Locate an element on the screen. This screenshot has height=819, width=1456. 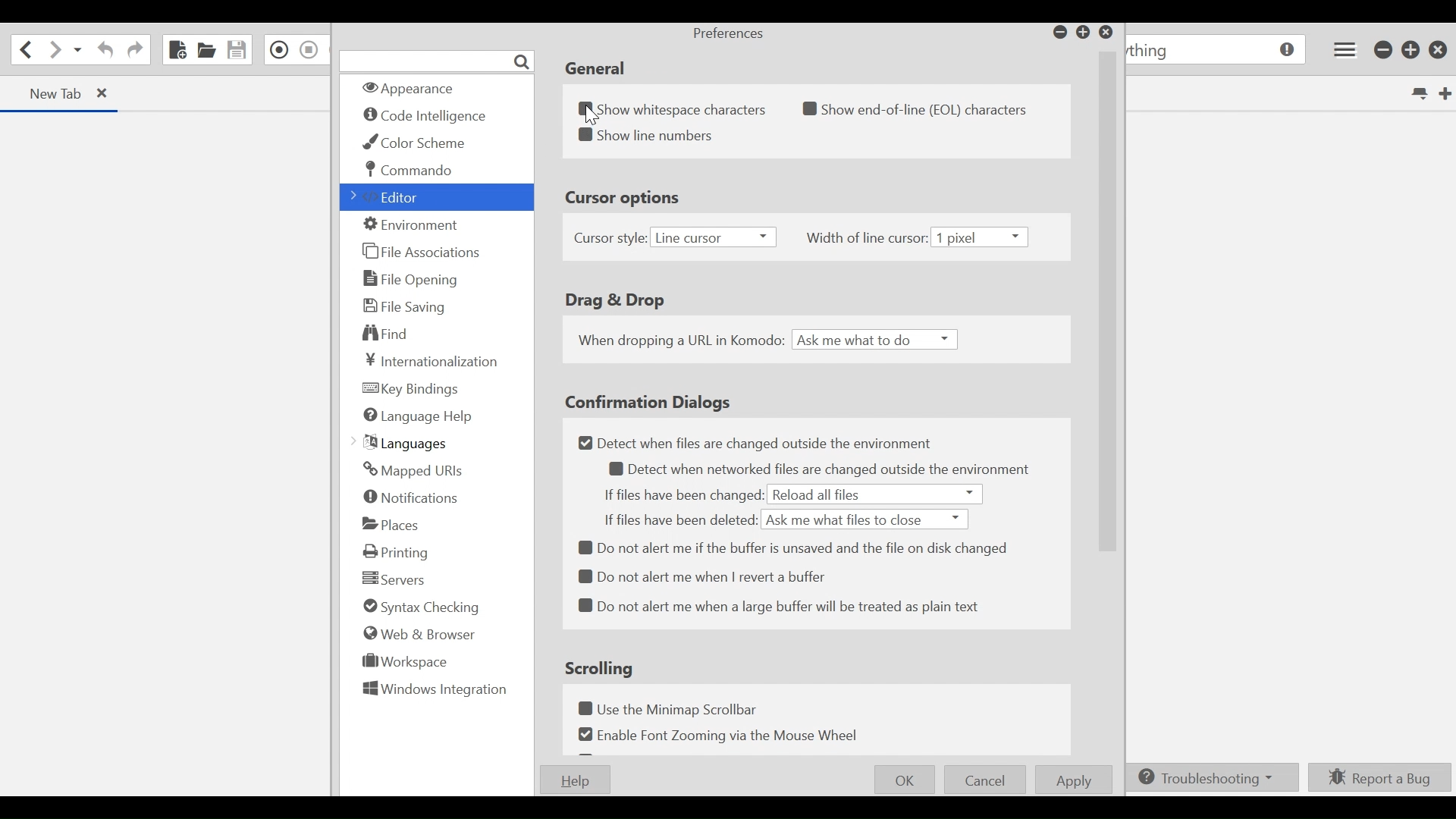
Close is located at coordinates (1437, 49).